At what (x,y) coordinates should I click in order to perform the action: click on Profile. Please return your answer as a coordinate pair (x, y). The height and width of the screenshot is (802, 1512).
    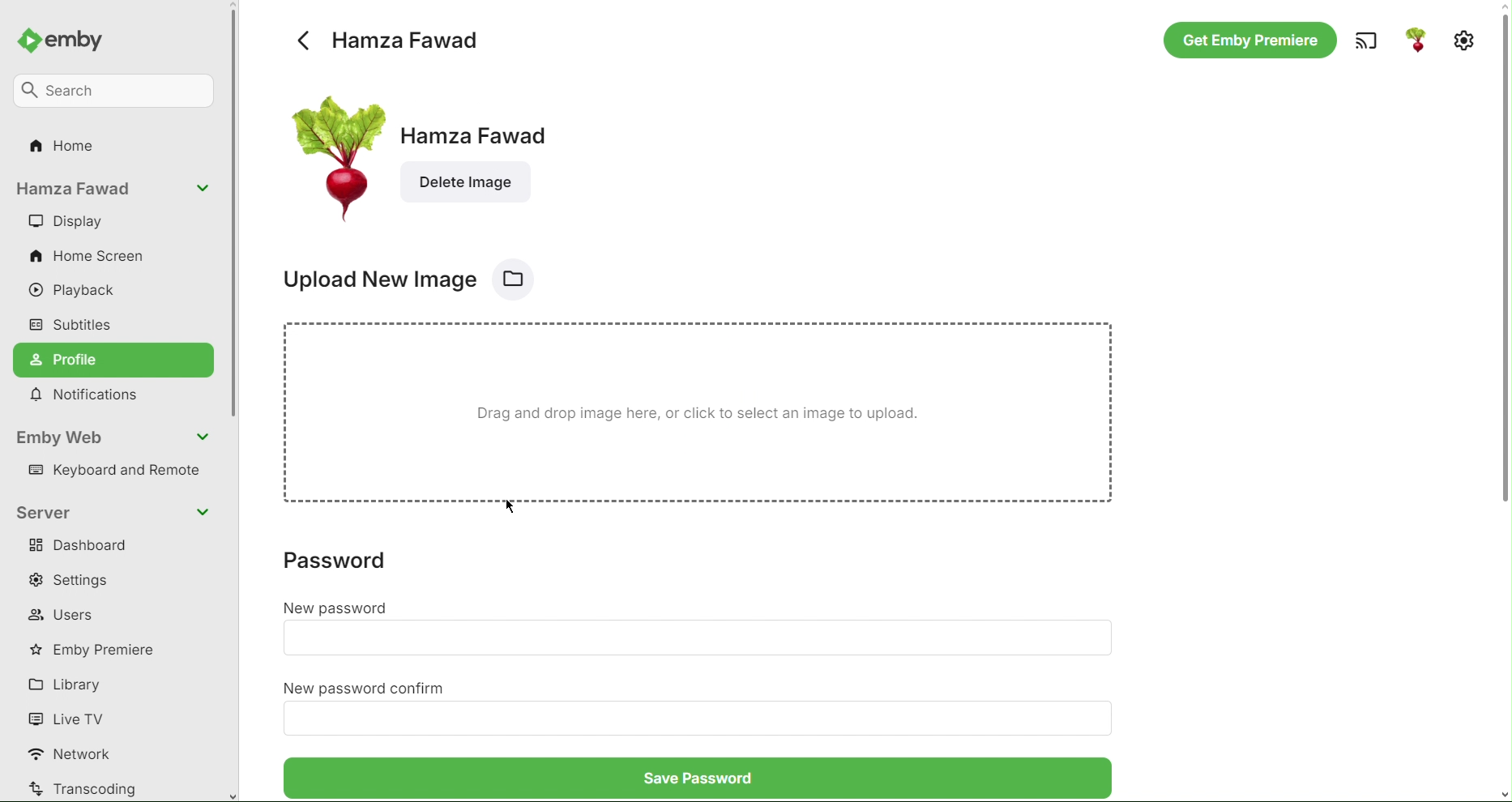
    Looking at the image, I should click on (115, 360).